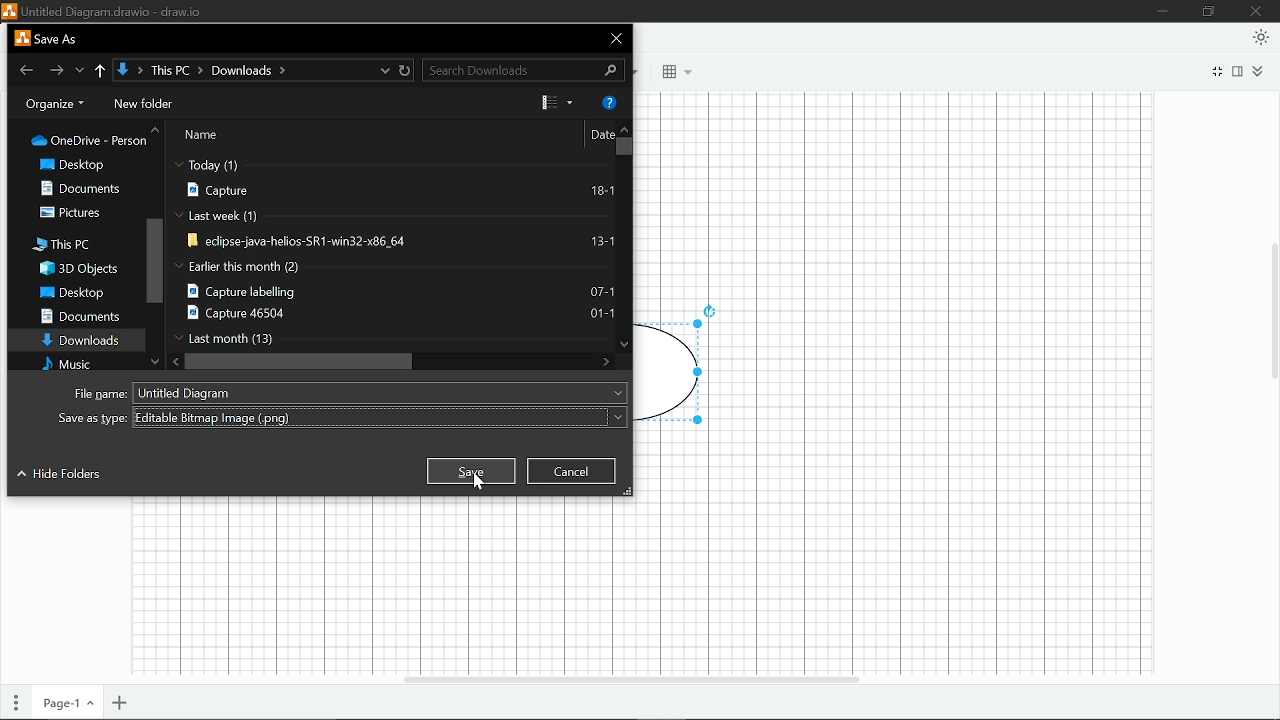  Describe the element at coordinates (16, 699) in the screenshot. I see `Pages` at that location.